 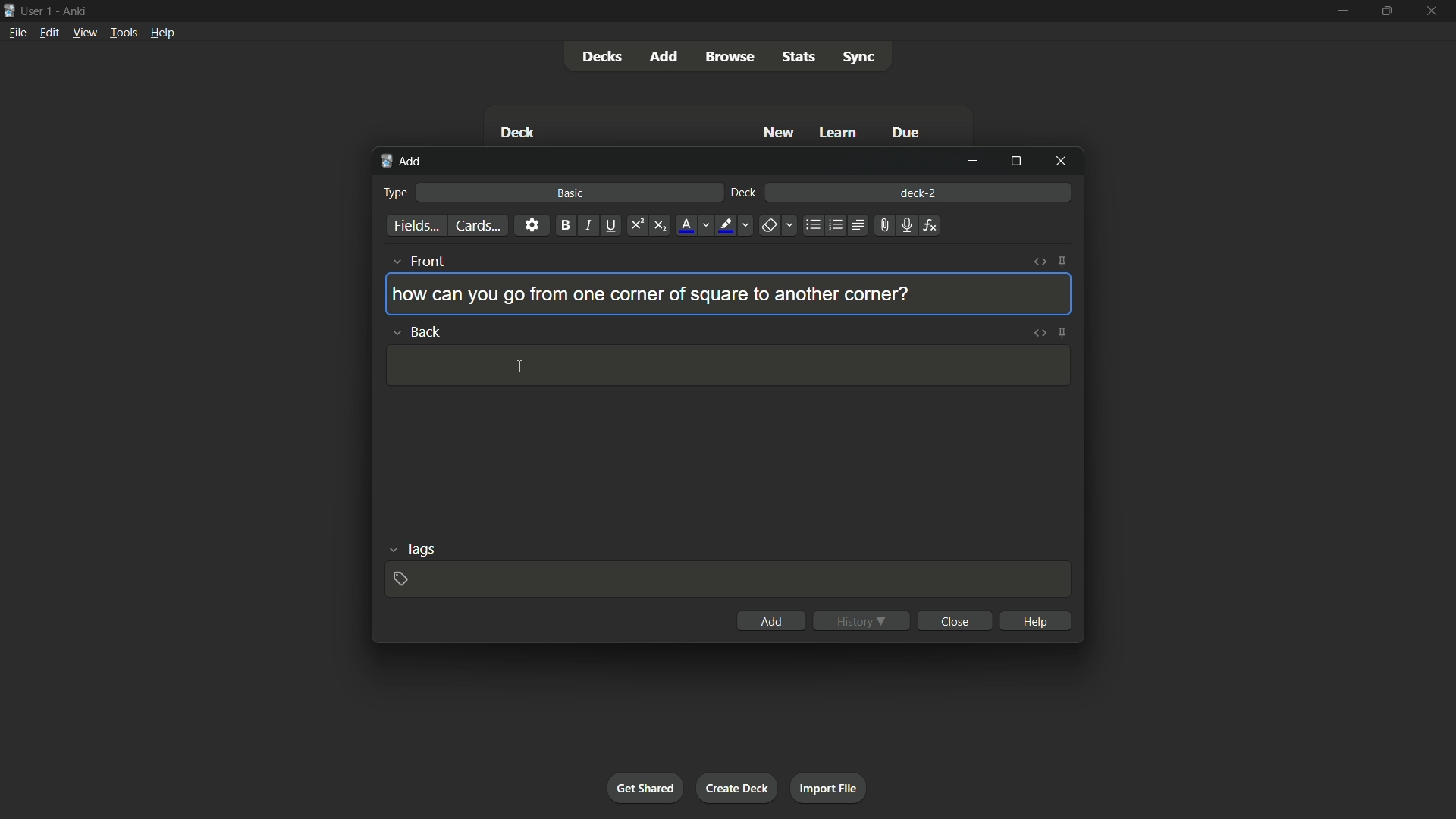 What do you see at coordinates (570, 193) in the screenshot?
I see `basic` at bounding box center [570, 193].